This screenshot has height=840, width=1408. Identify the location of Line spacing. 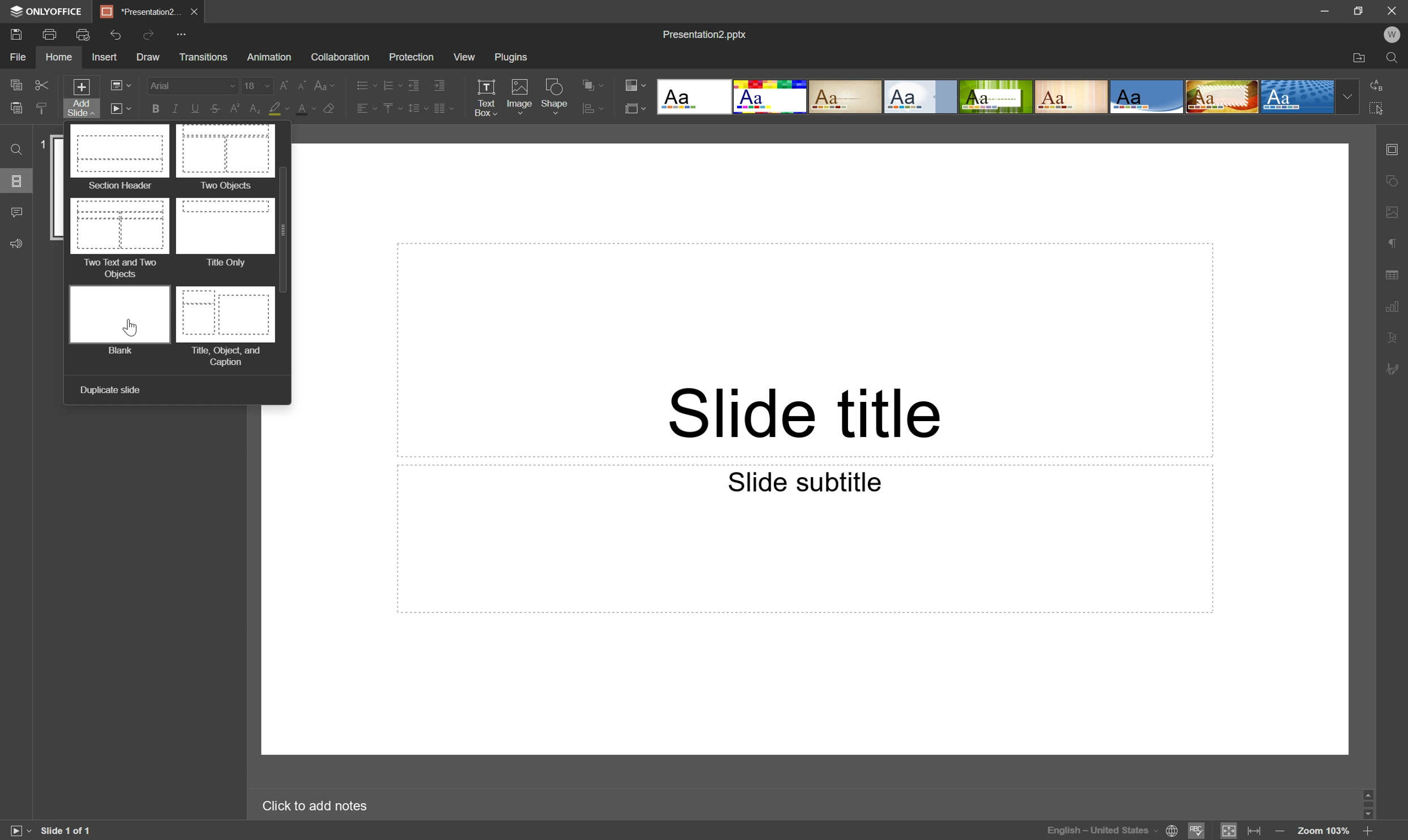
(416, 111).